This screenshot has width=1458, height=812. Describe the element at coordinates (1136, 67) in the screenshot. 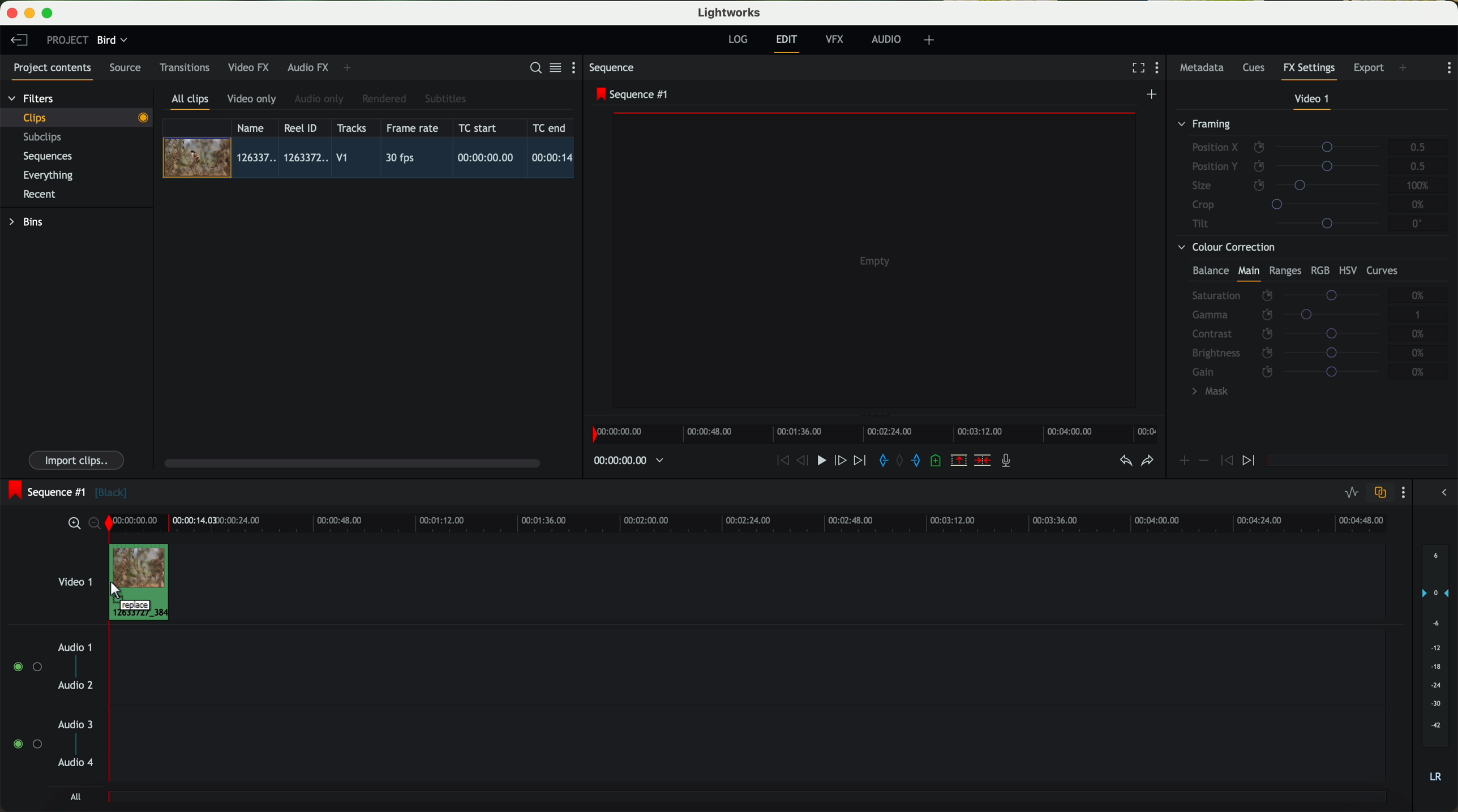

I see `fullscreen` at that location.